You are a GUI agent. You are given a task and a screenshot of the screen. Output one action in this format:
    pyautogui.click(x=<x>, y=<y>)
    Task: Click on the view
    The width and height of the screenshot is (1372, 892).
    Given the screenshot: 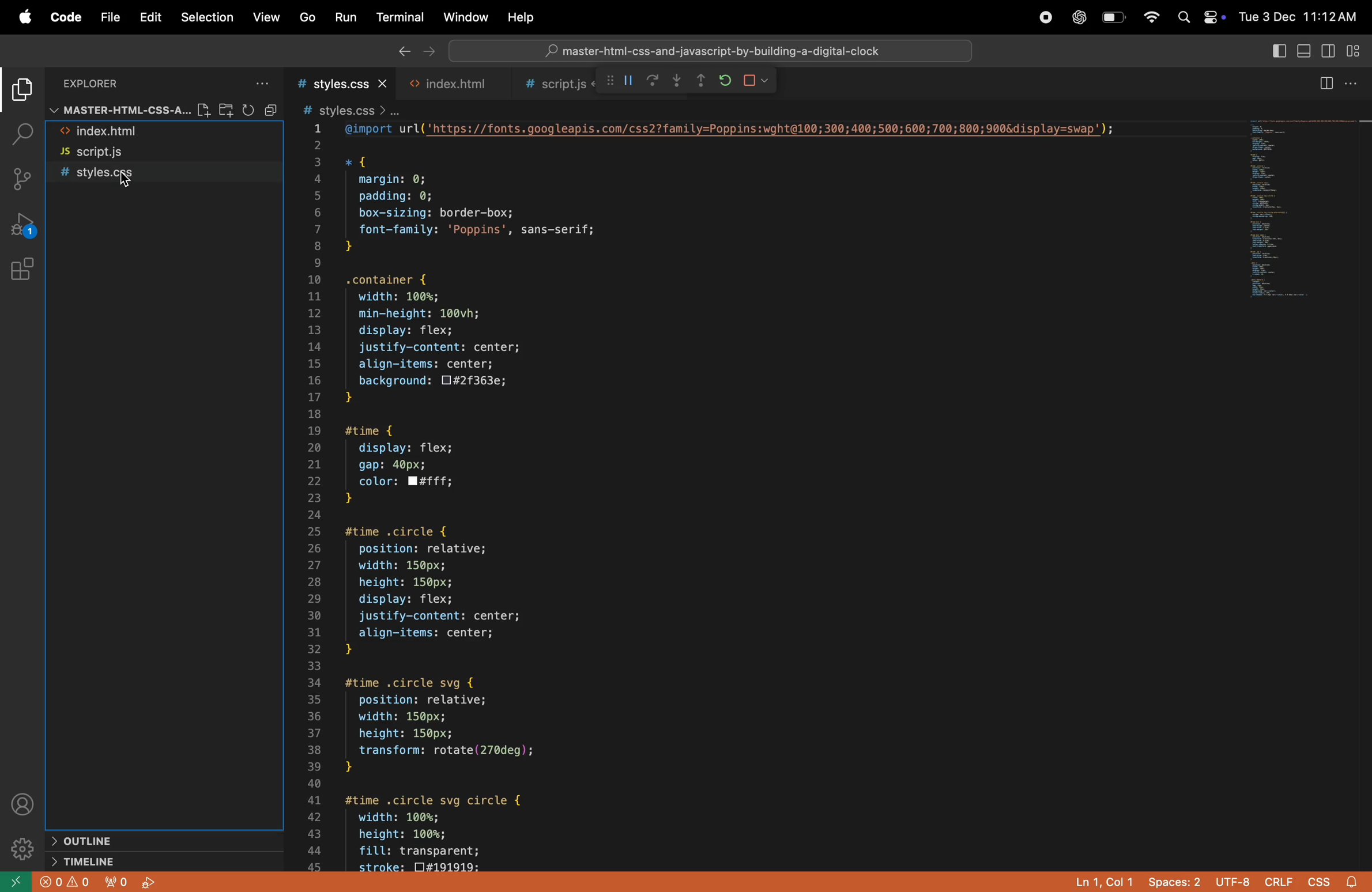 What is the action you would take?
    pyautogui.click(x=265, y=17)
    